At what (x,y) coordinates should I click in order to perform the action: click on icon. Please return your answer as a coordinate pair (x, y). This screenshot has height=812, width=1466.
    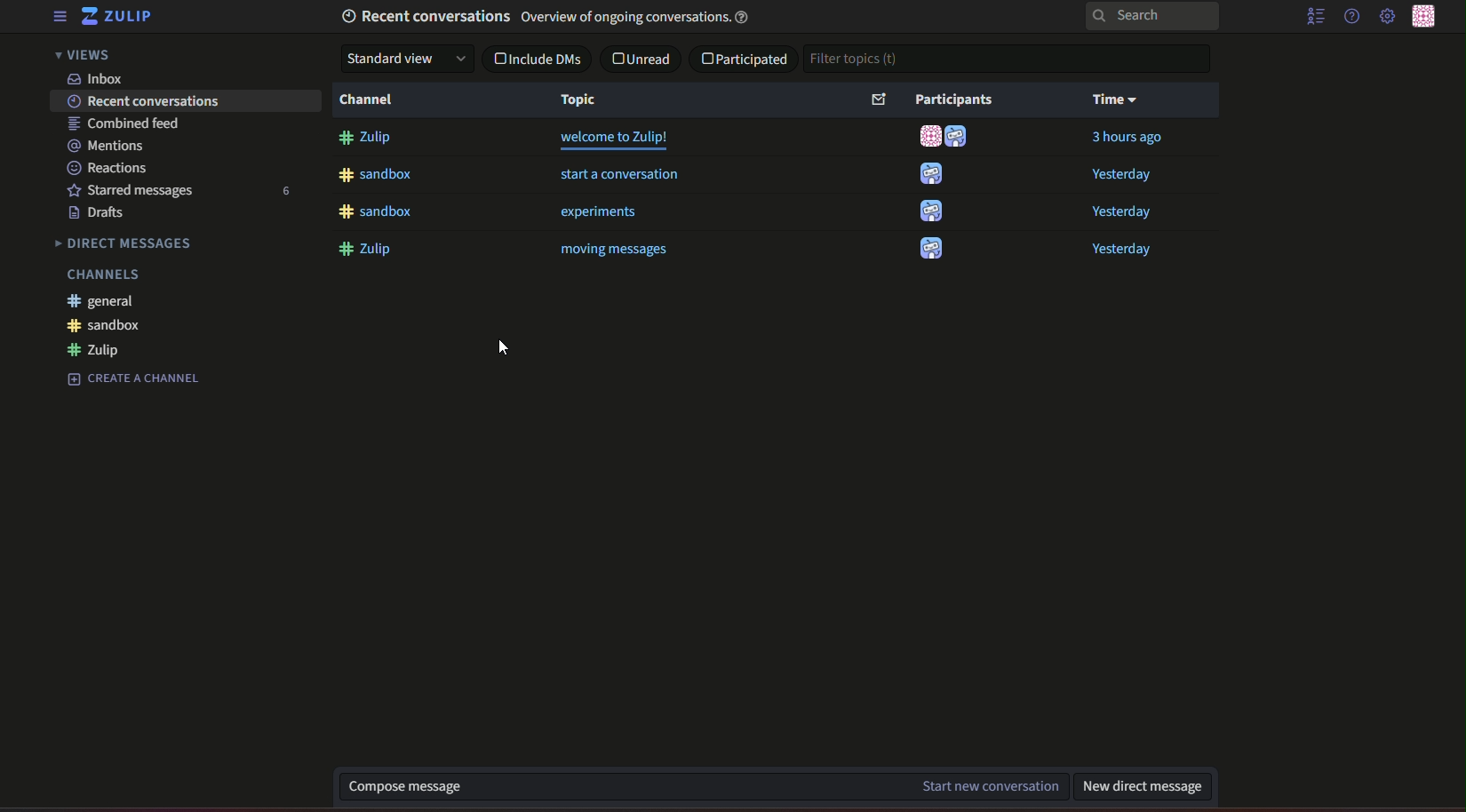
    Looking at the image, I should click on (960, 139).